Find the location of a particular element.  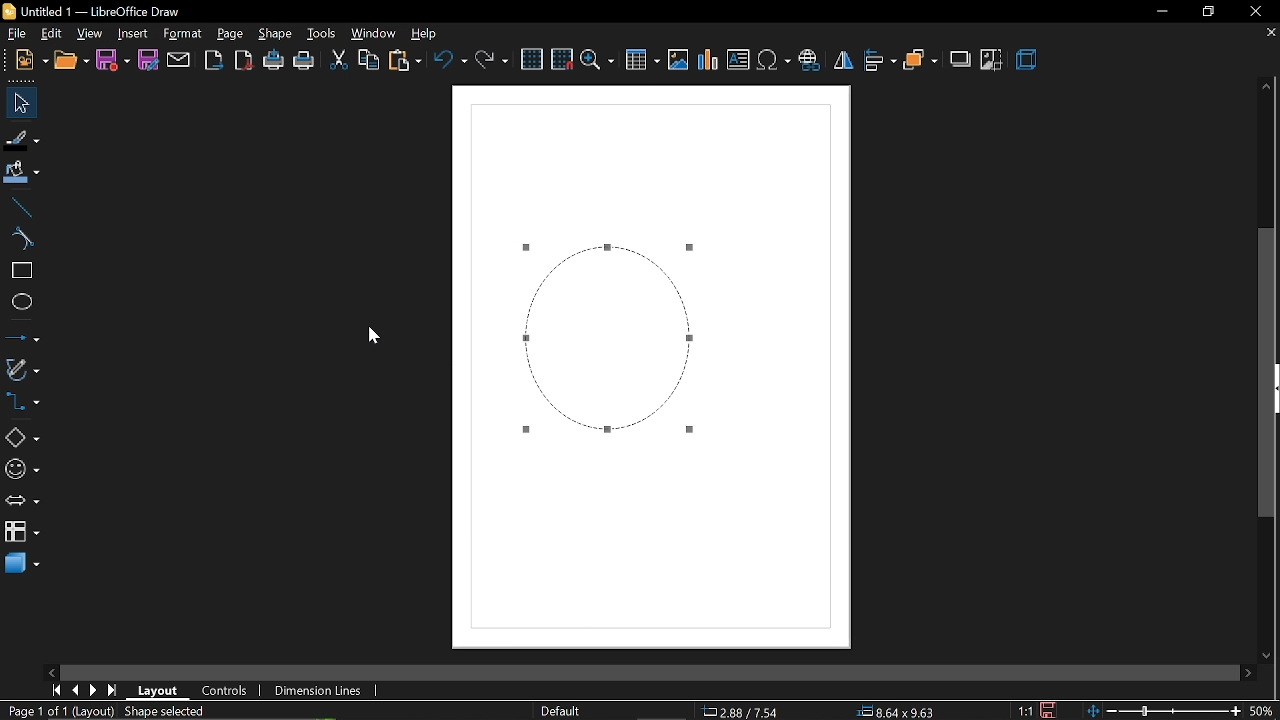

shapes is located at coordinates (21, 436).